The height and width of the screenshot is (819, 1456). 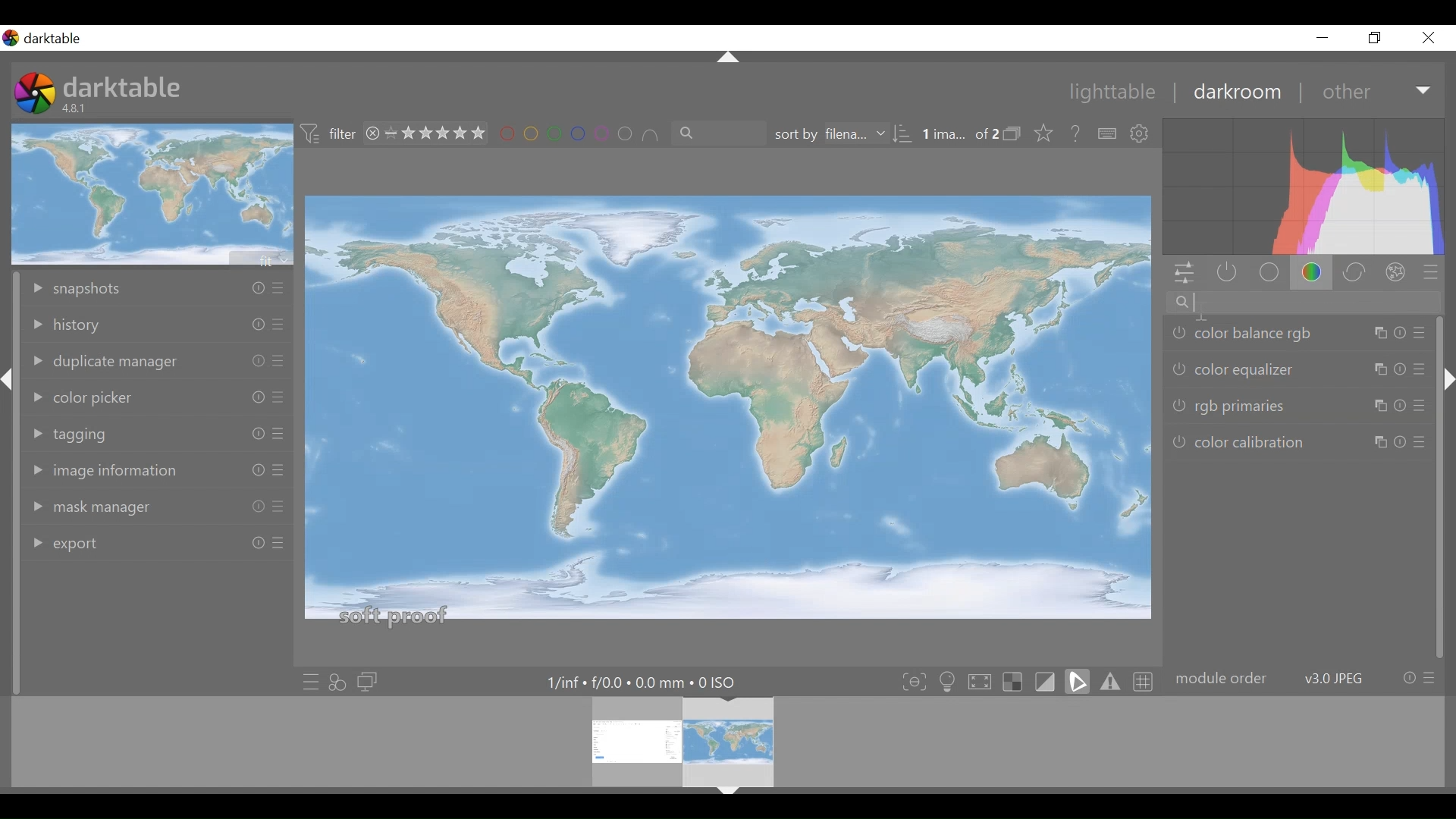 I want to click on Insertion Cursor, so click(x=1200, y=311).